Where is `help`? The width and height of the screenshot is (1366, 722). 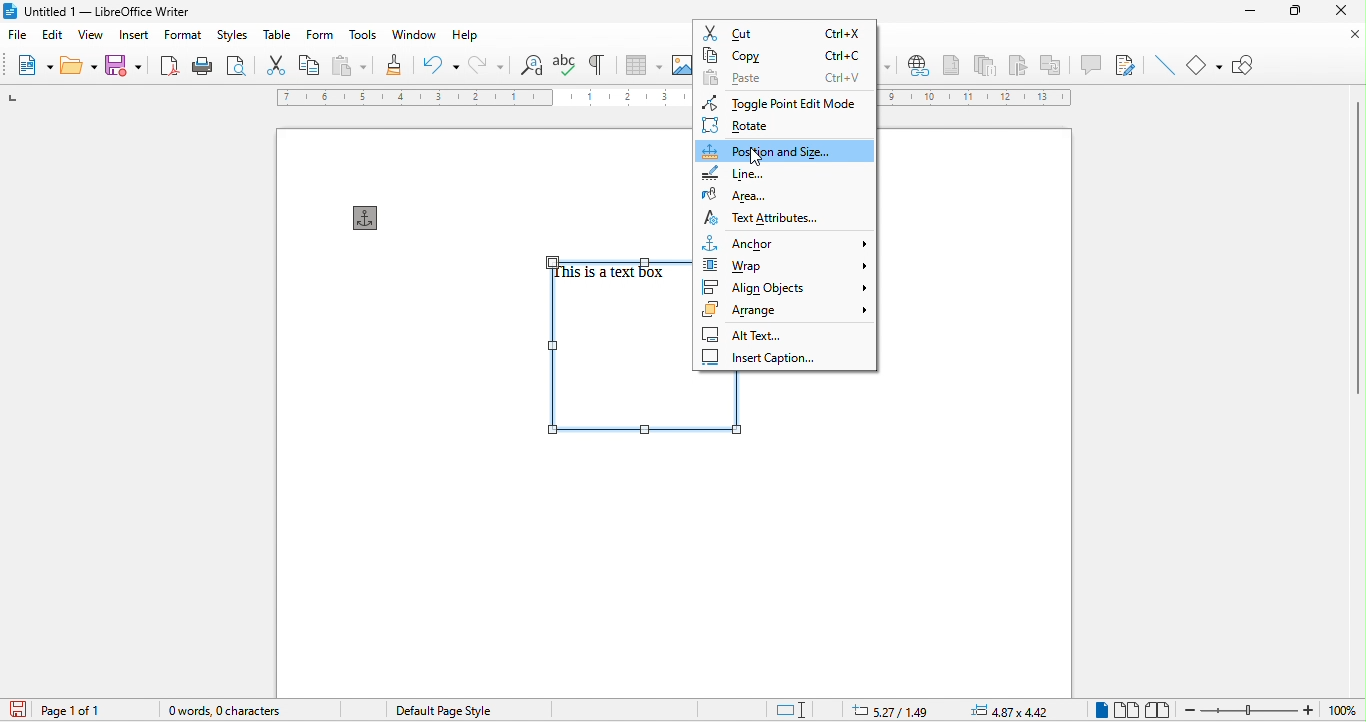 help is located at coordinates (463, 36).